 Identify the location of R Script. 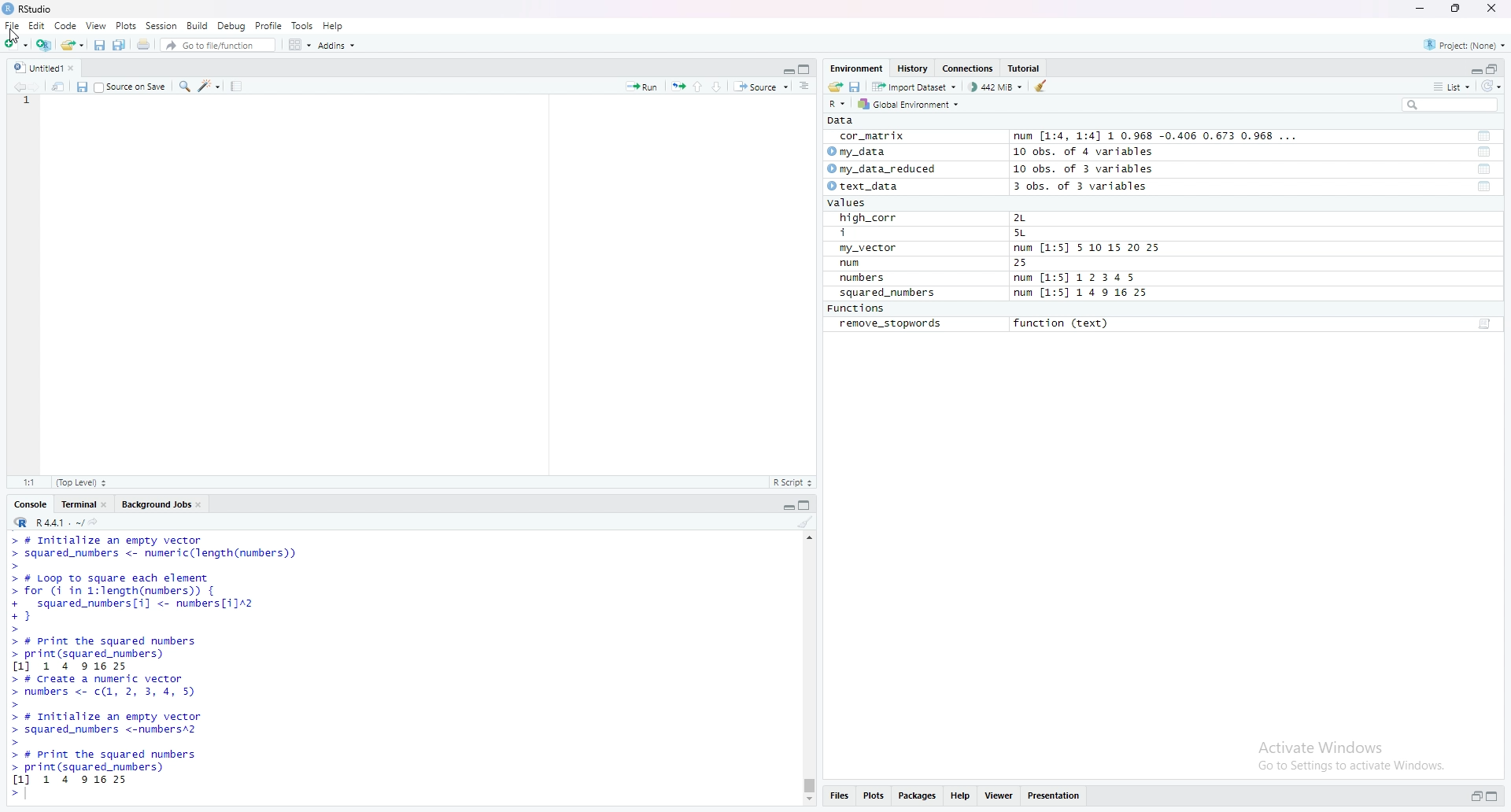
(793, 482).